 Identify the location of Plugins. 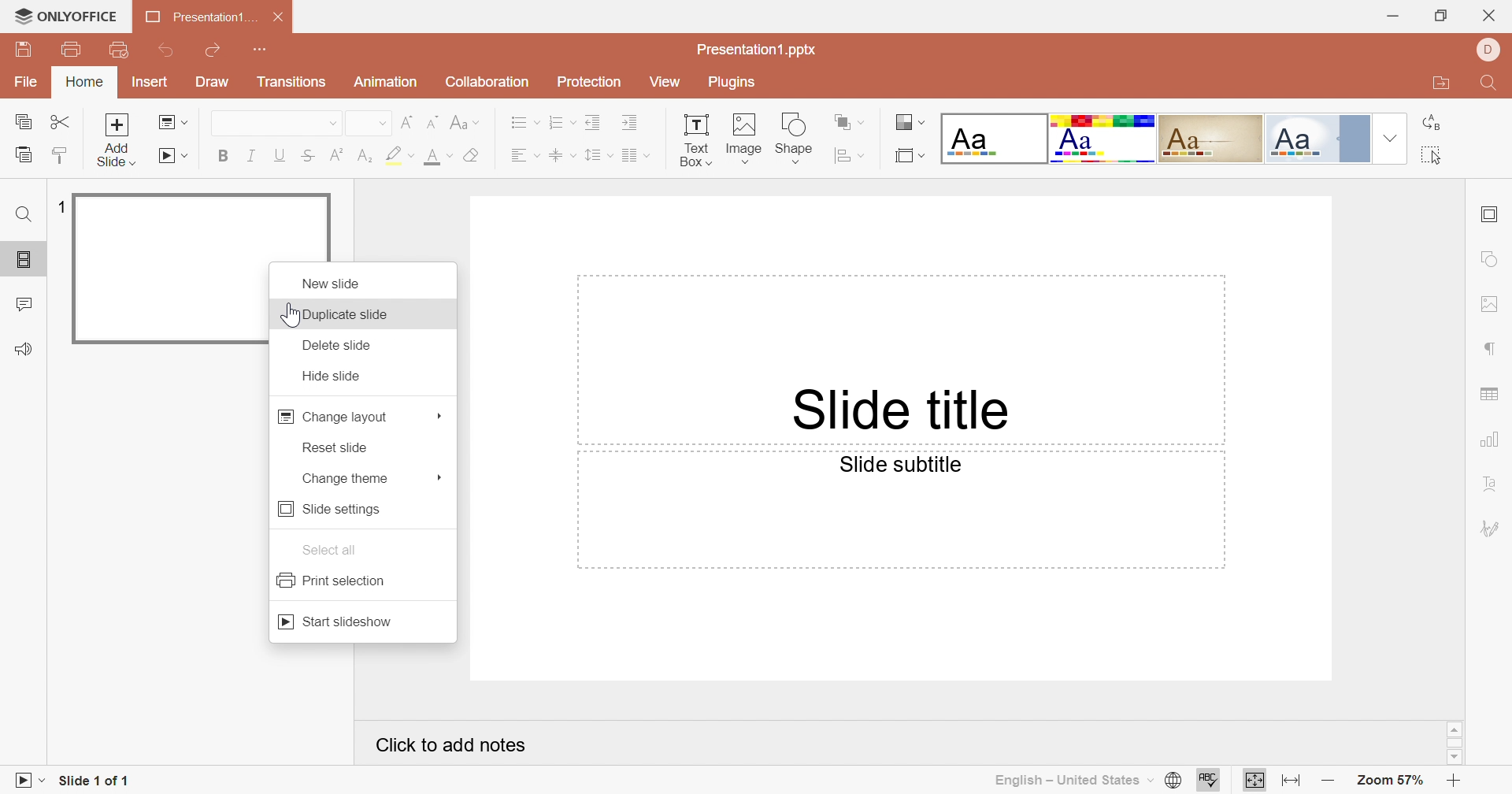
(735, 80).